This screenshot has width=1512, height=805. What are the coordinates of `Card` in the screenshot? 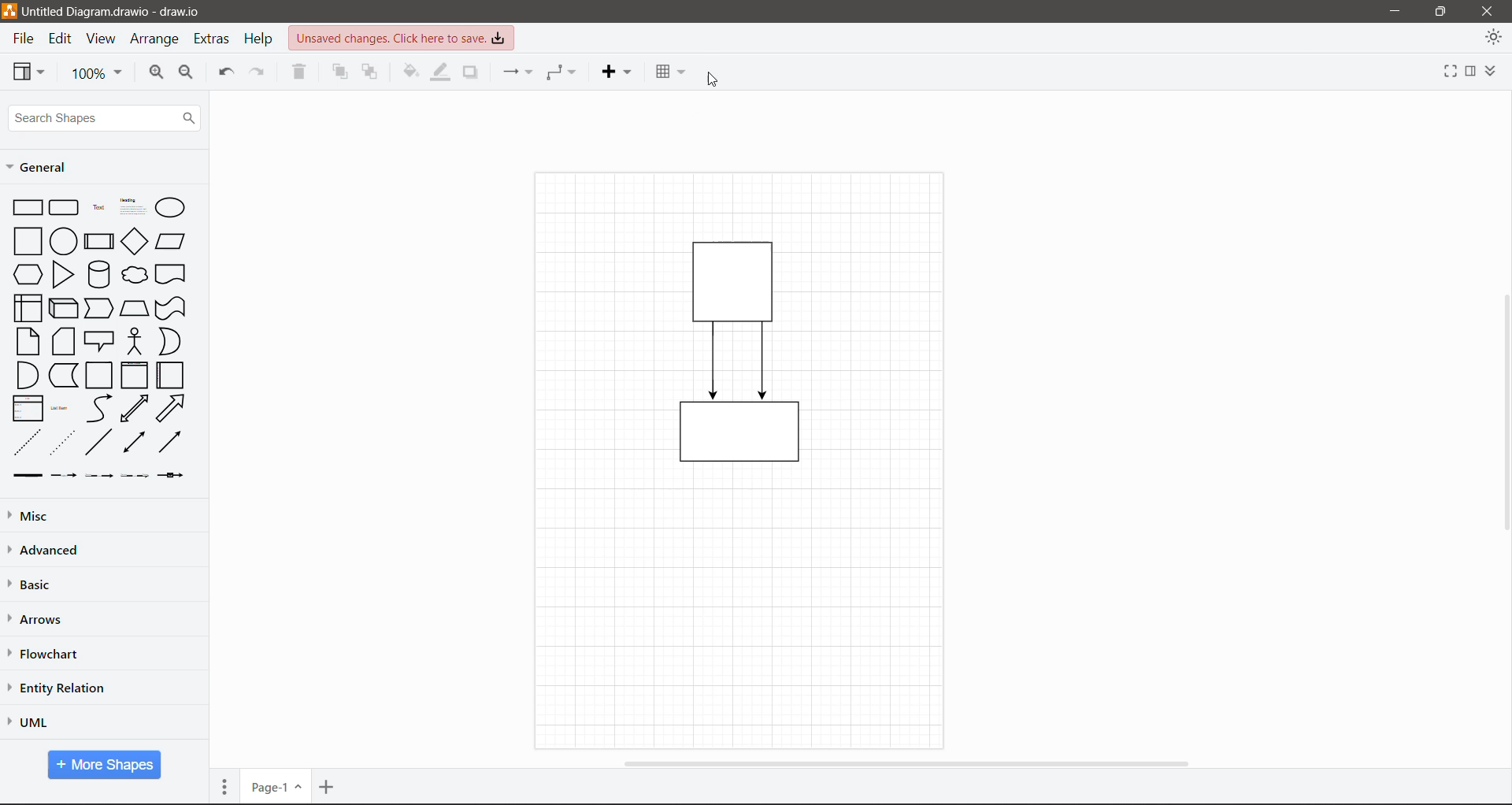 It's located at (63, 341).